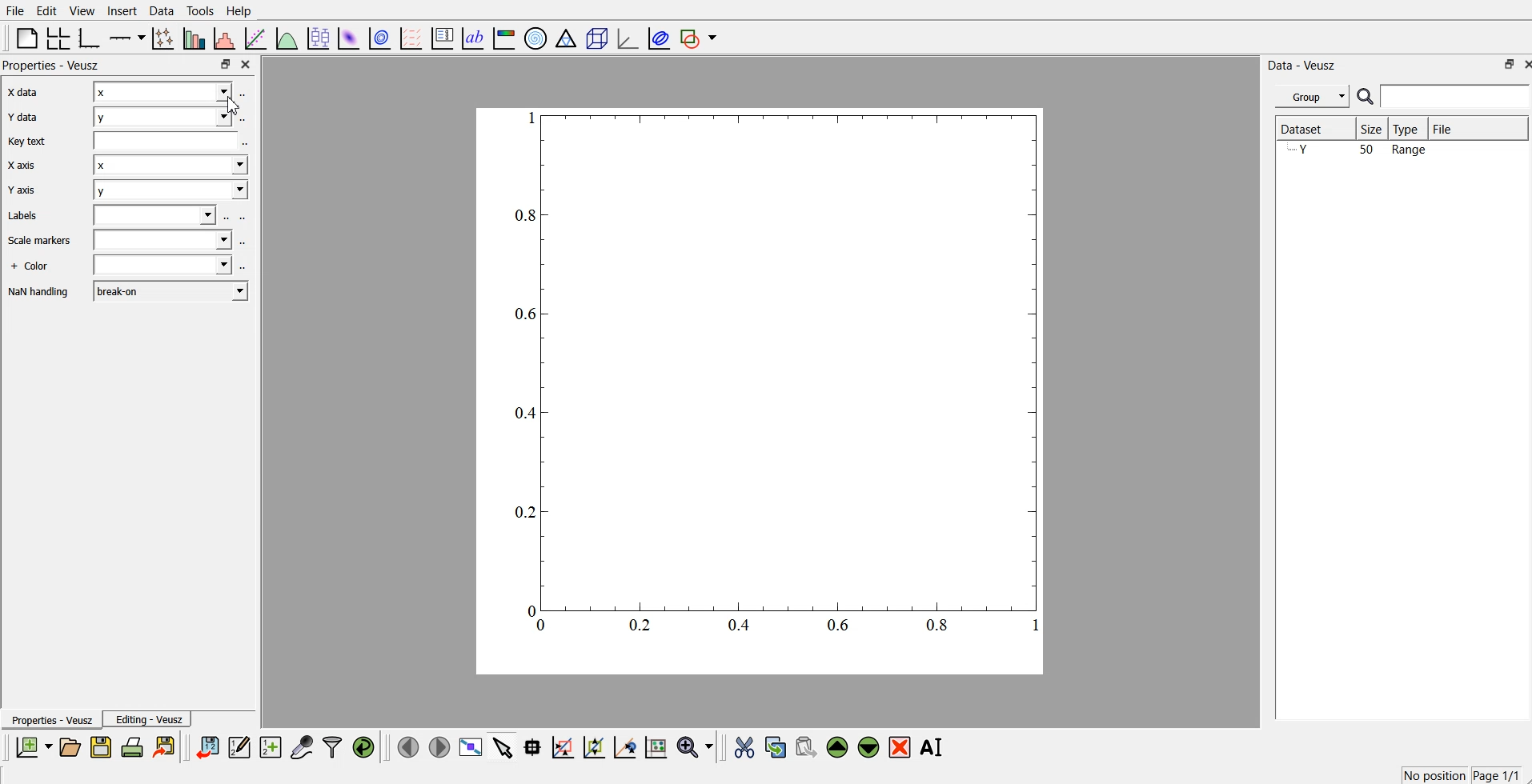  I want to click on x, so click(171, 167).